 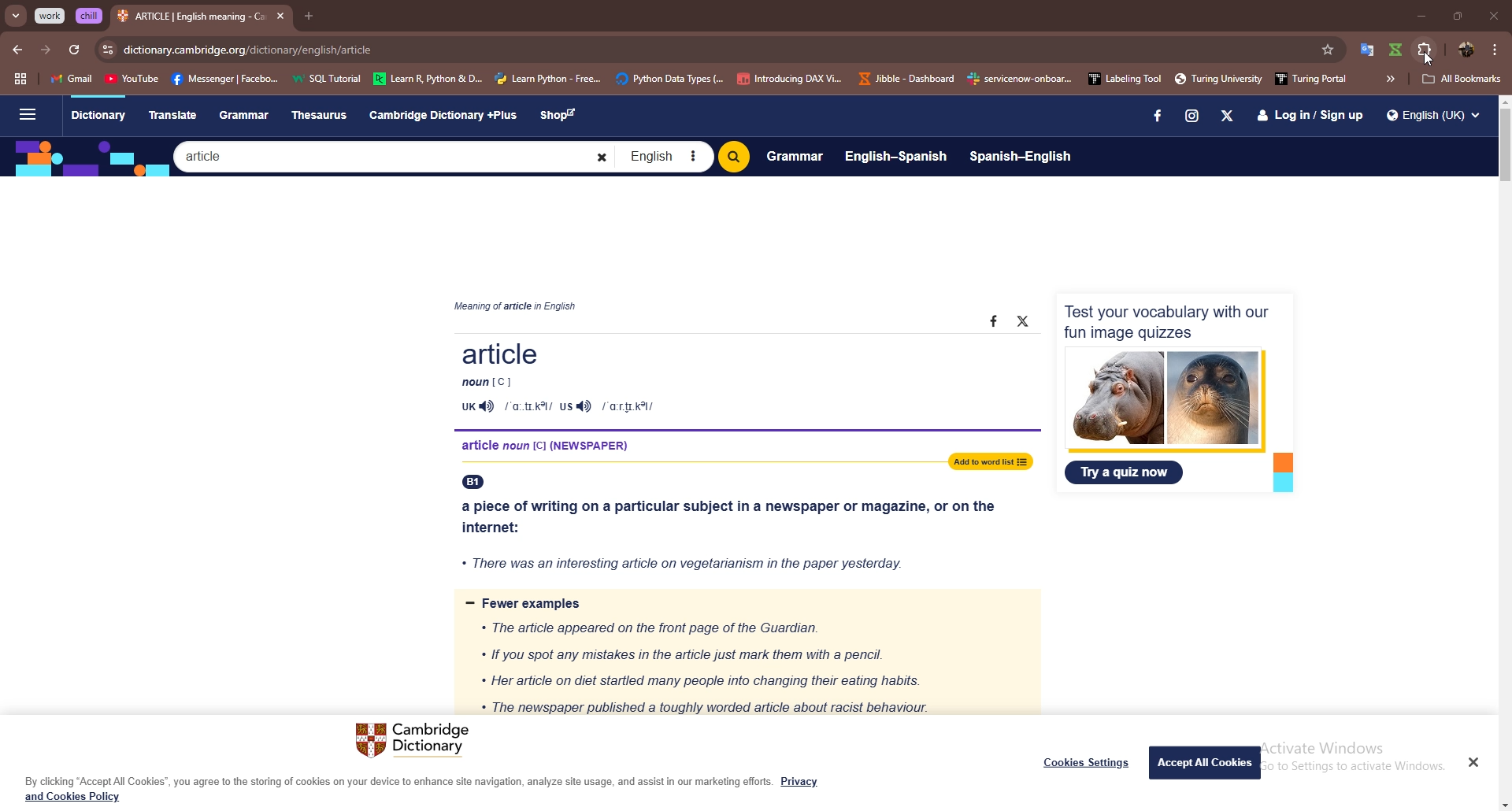 What do you see at coordinates (1206, 761) in the screenshot?
I see ` Accept All Cookies` at bounding box center [1206, 761].